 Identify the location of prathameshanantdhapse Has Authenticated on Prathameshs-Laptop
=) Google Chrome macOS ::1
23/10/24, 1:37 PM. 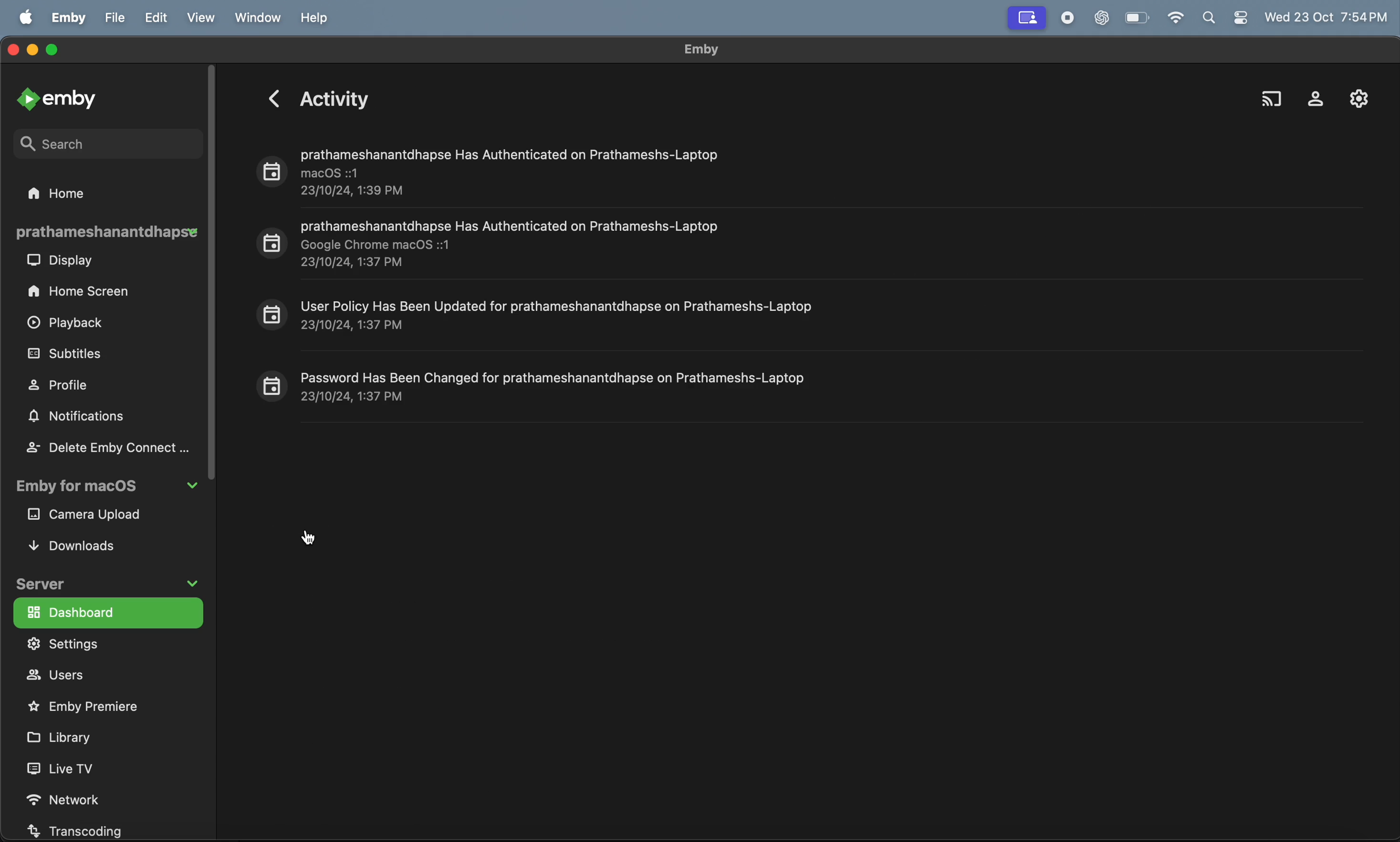
(492, 243).